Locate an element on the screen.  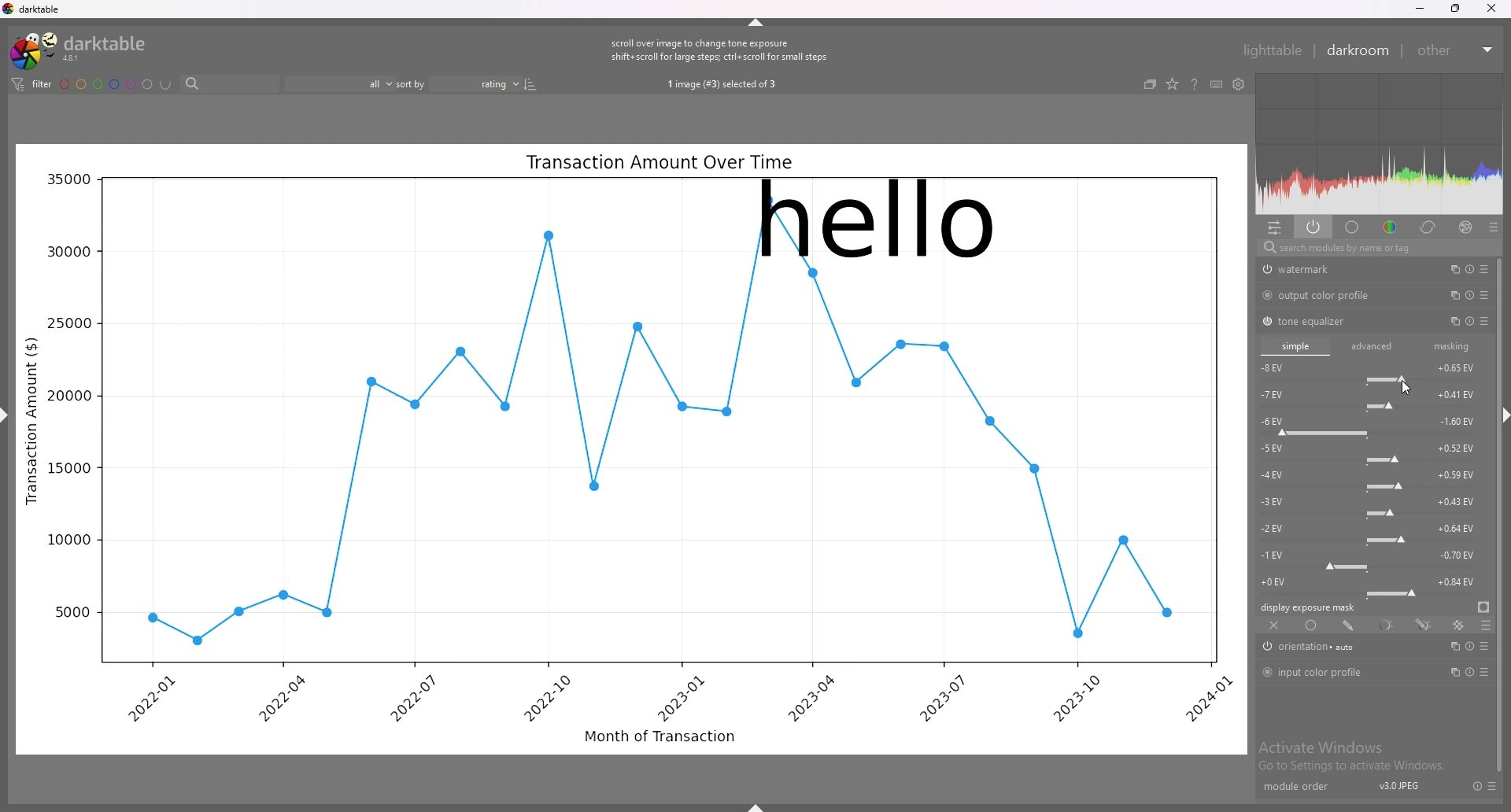
change type of overlays is located at coordinates (1173, 83).